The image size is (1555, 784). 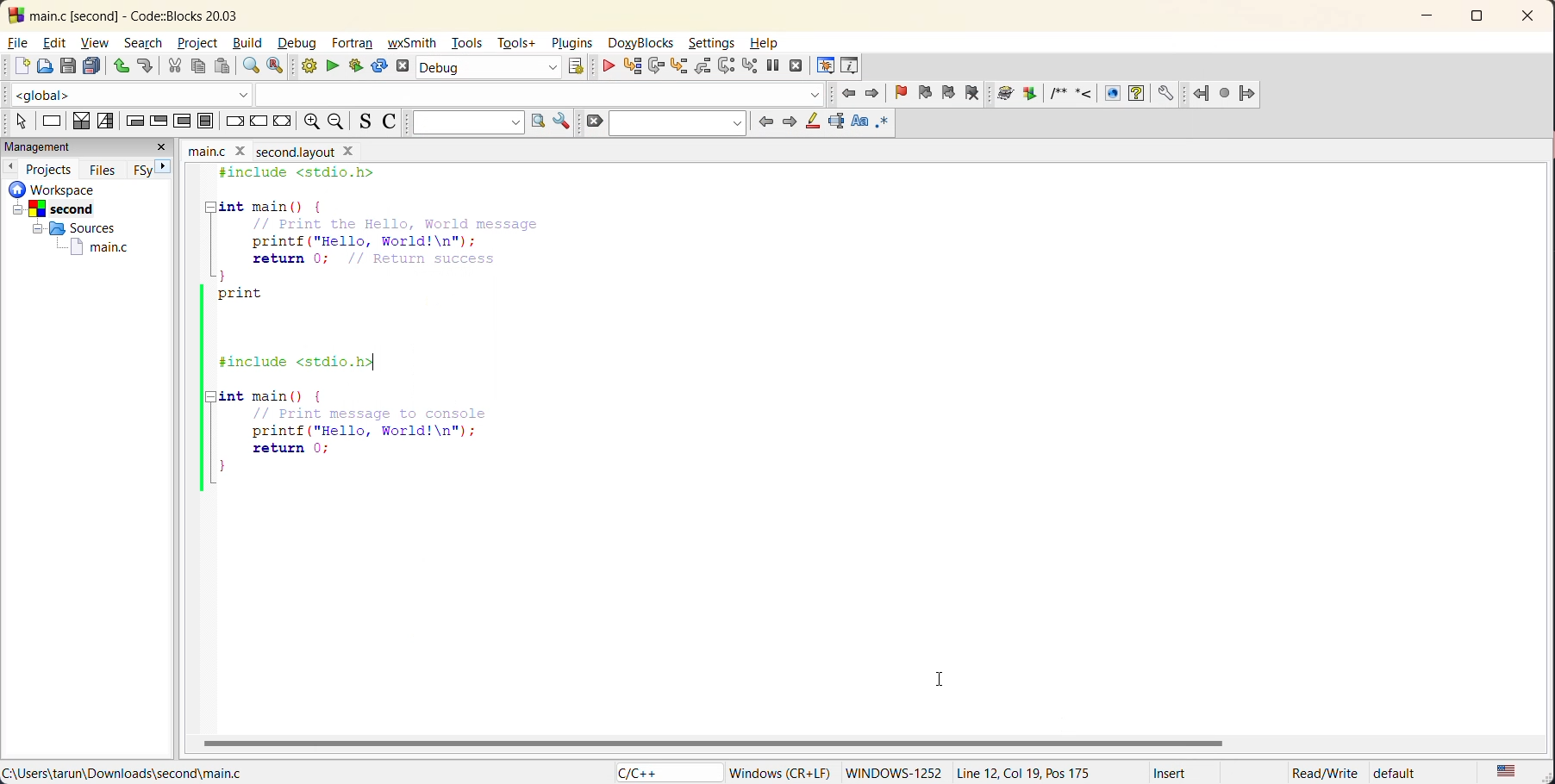 What do you see at coordinates (301, 44) in the screenshot?
I see `debug` at bounding box center [301, 44].